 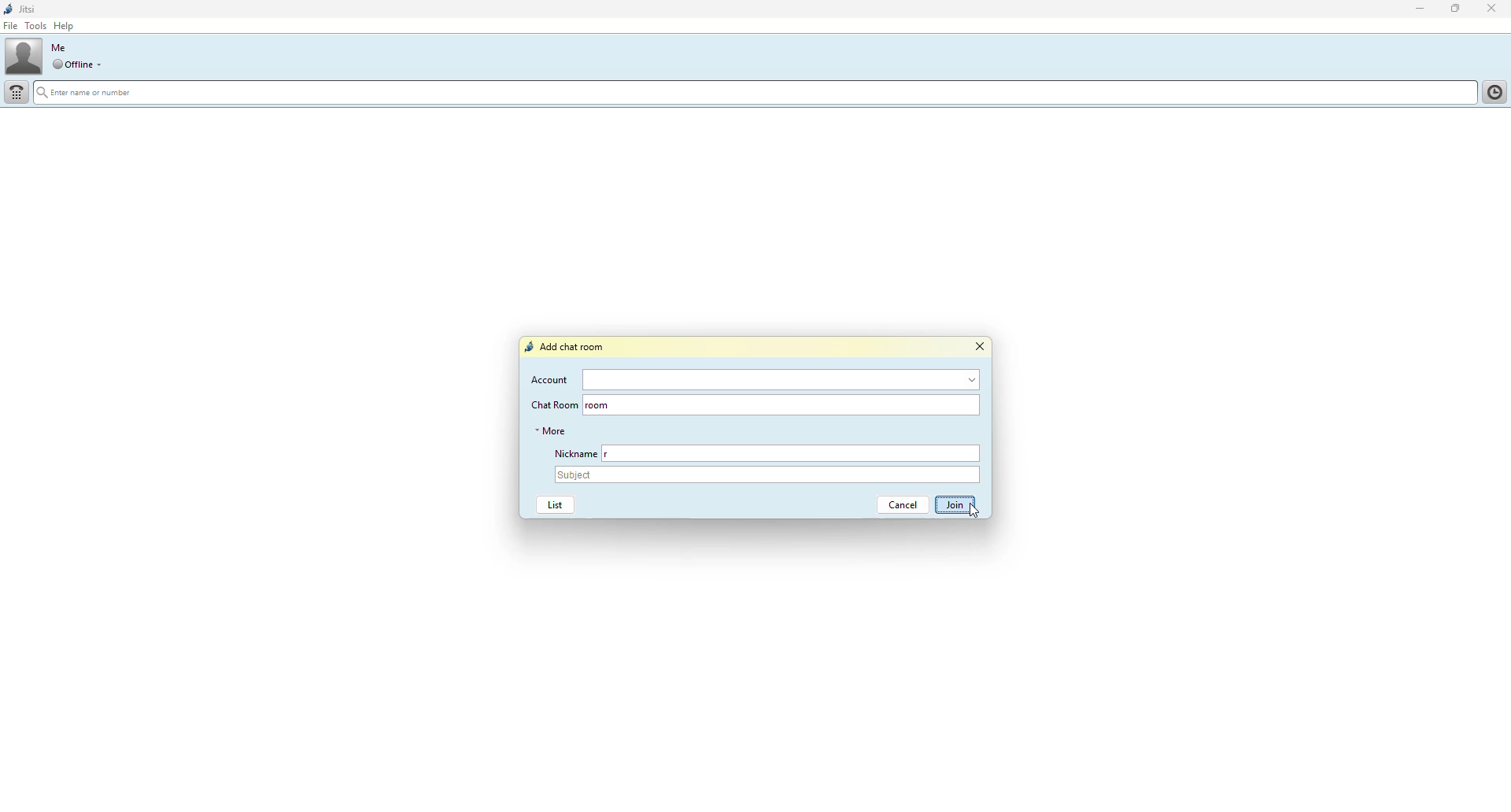 What do you see at coordinates (551, 430) in the screenshot?
I see `more` at bounding box center [551, 430].